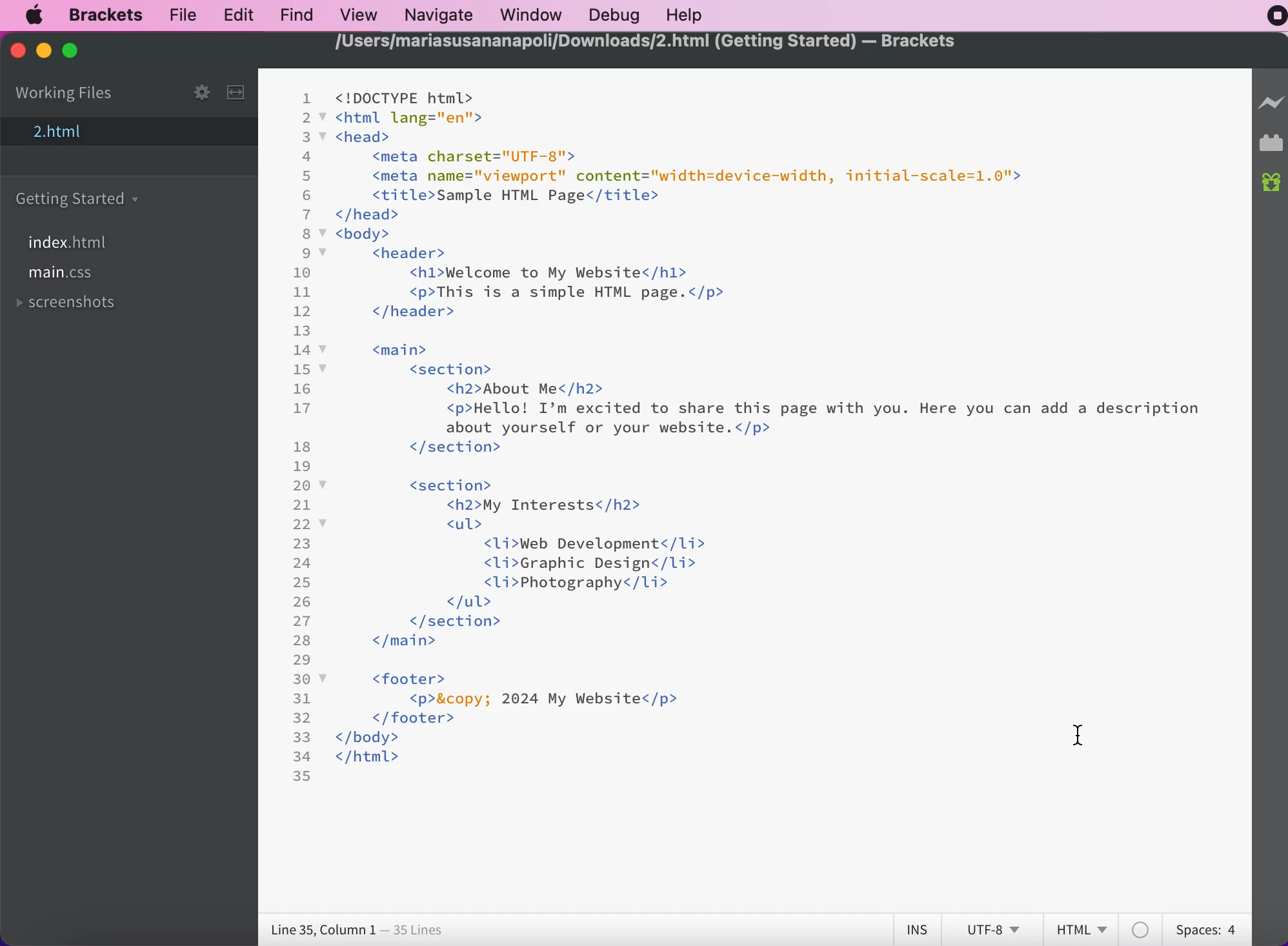 This screenshot has height=946, width=1288. I want to click on HTML, so click(1083, 928).